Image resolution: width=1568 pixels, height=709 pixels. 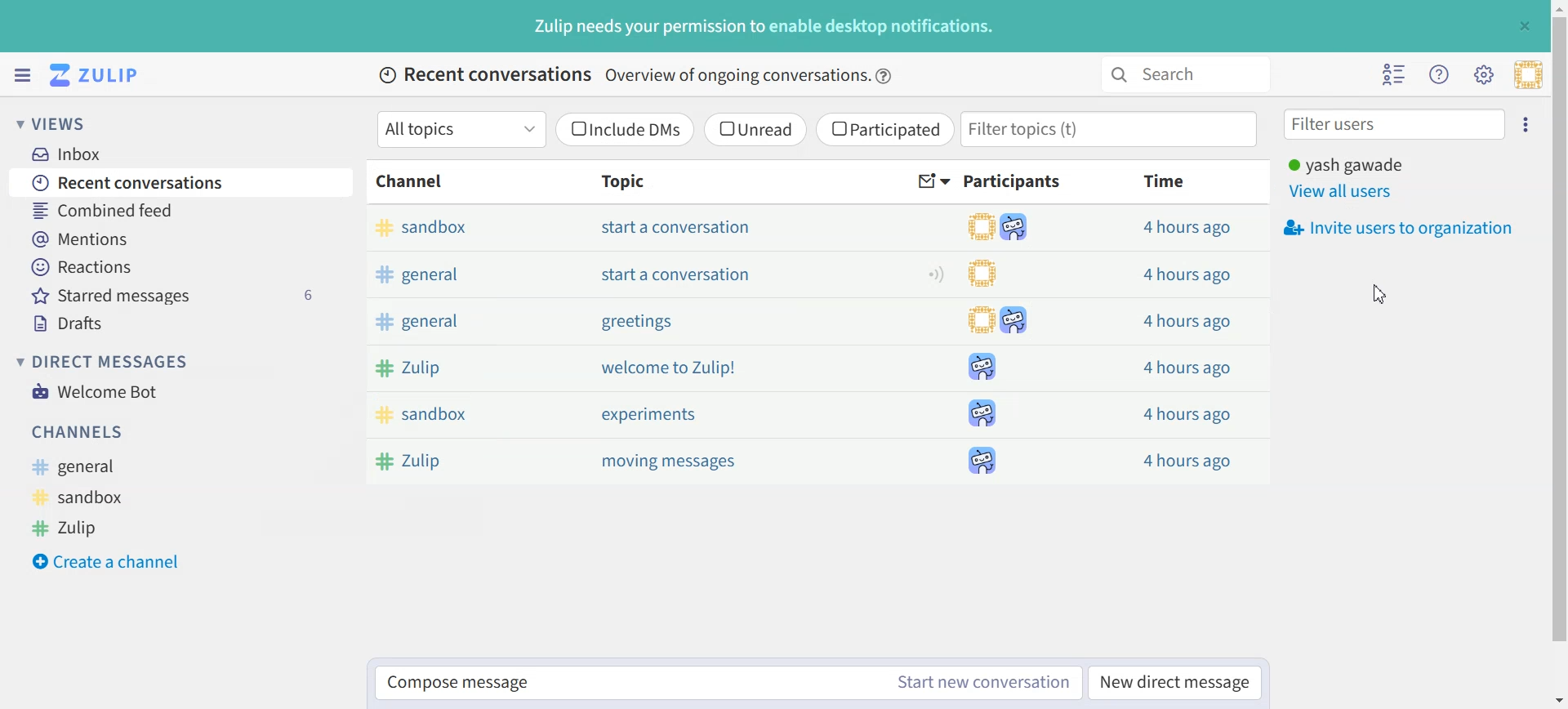 What do you see at coordinates (671, 368) in the screenshot?
I see `Welcome to zulip` at bounding box center [671, 368].